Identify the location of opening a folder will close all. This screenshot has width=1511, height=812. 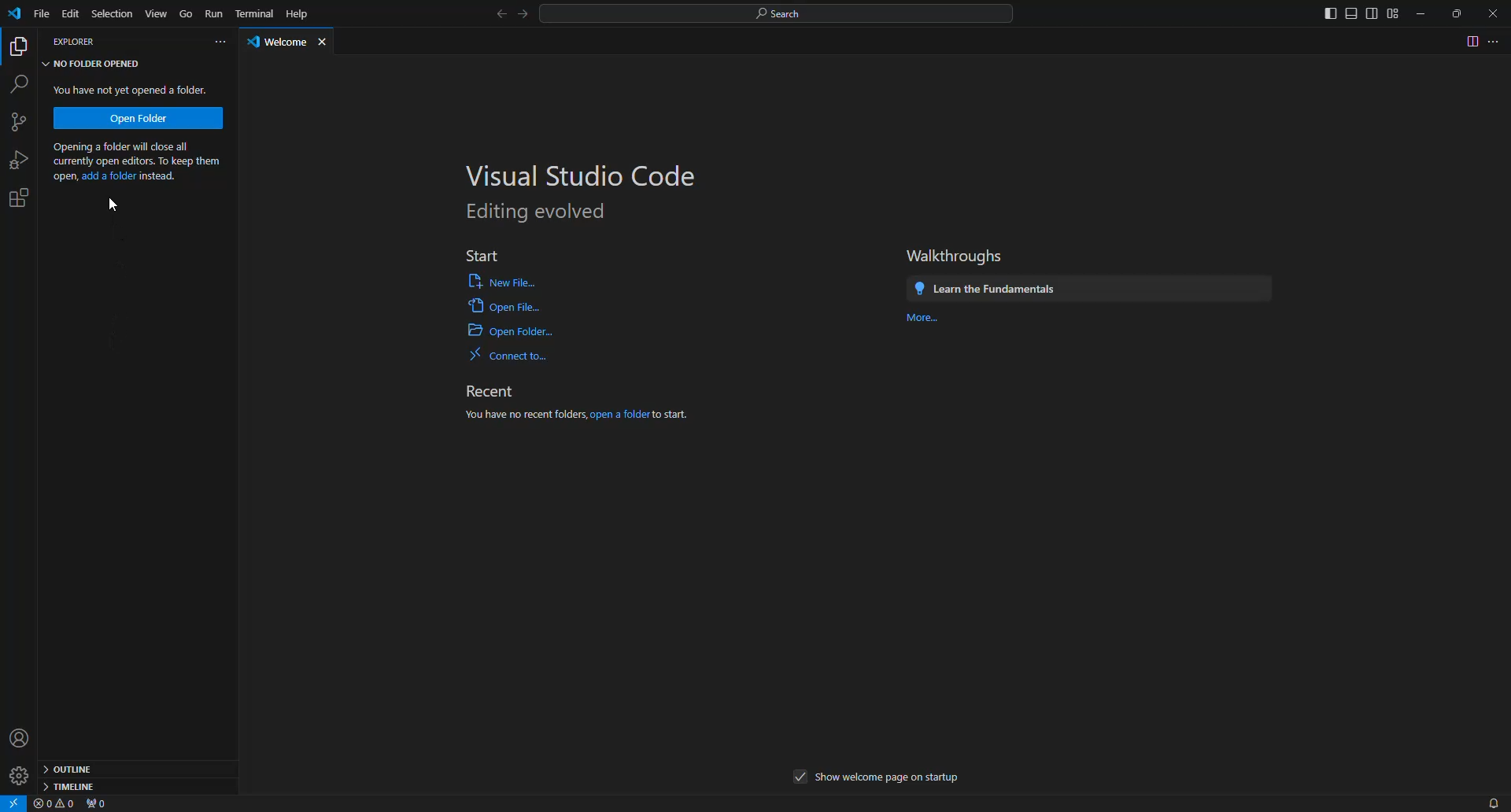
(135, 147).